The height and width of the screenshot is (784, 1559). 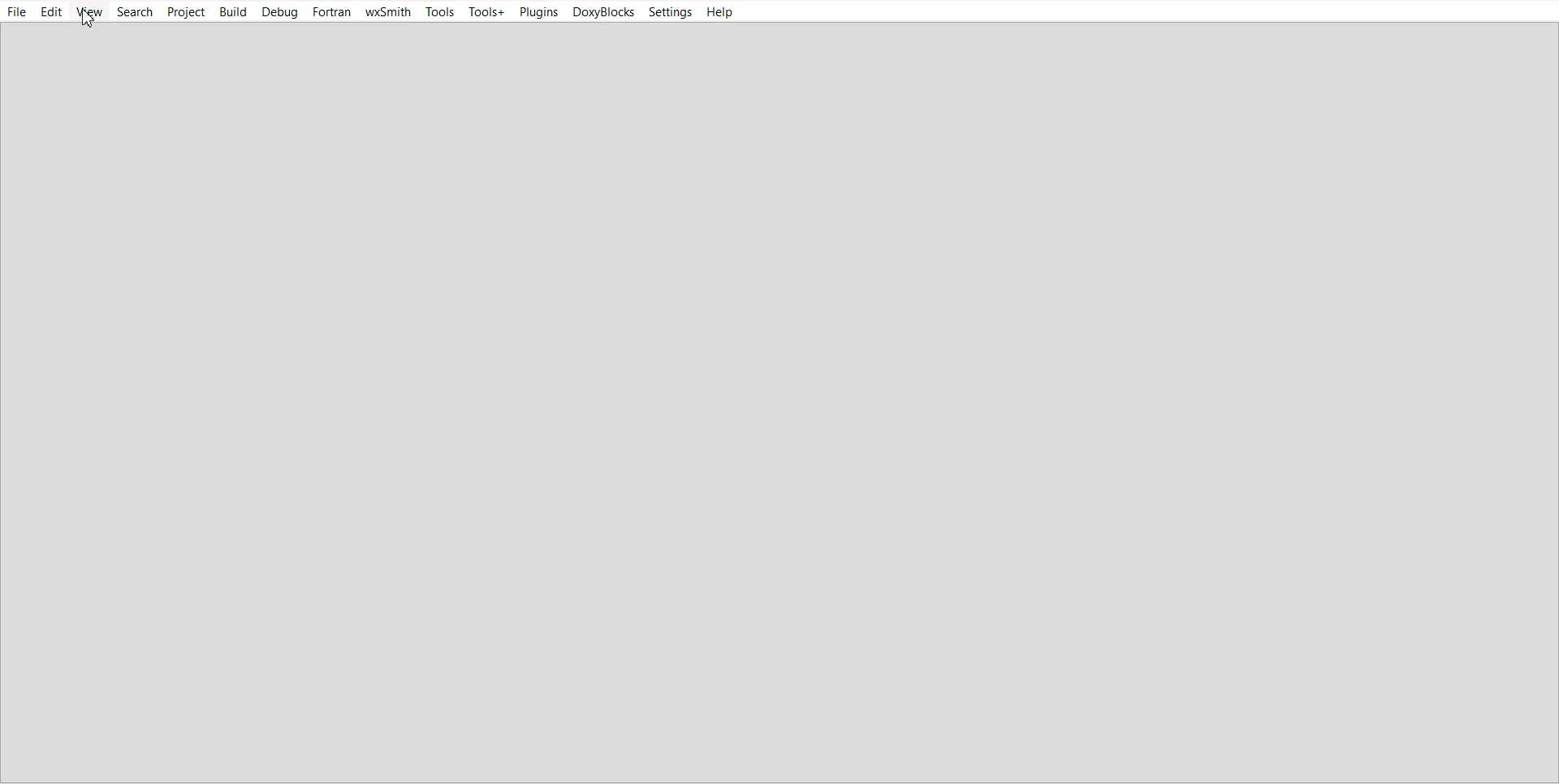 I want to click on Tools, so click(x=438, y=12).